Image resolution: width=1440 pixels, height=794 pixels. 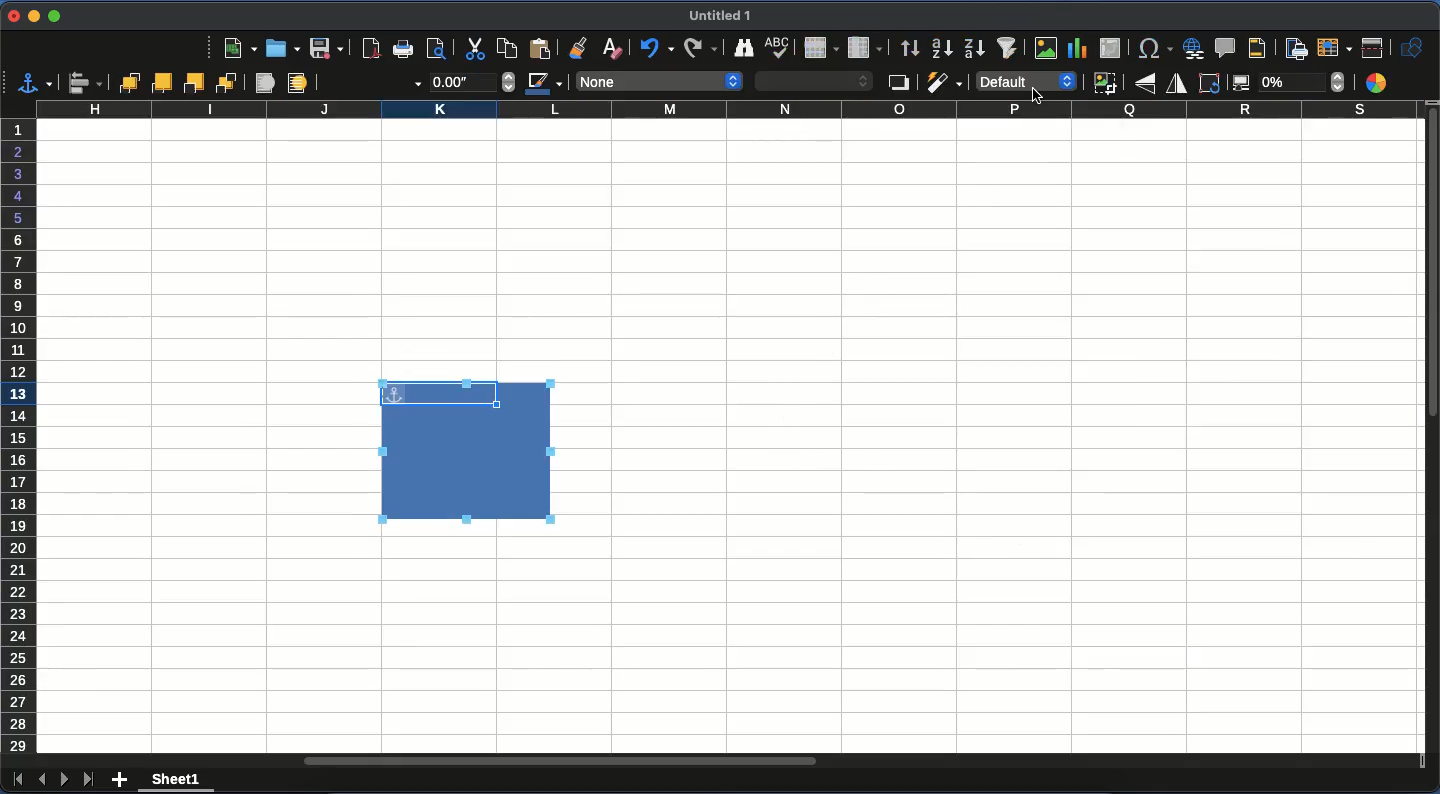 What do you see at coordinates (472, 81) in the screenshot?
I see `thickness` at bounding box center [472, 81].